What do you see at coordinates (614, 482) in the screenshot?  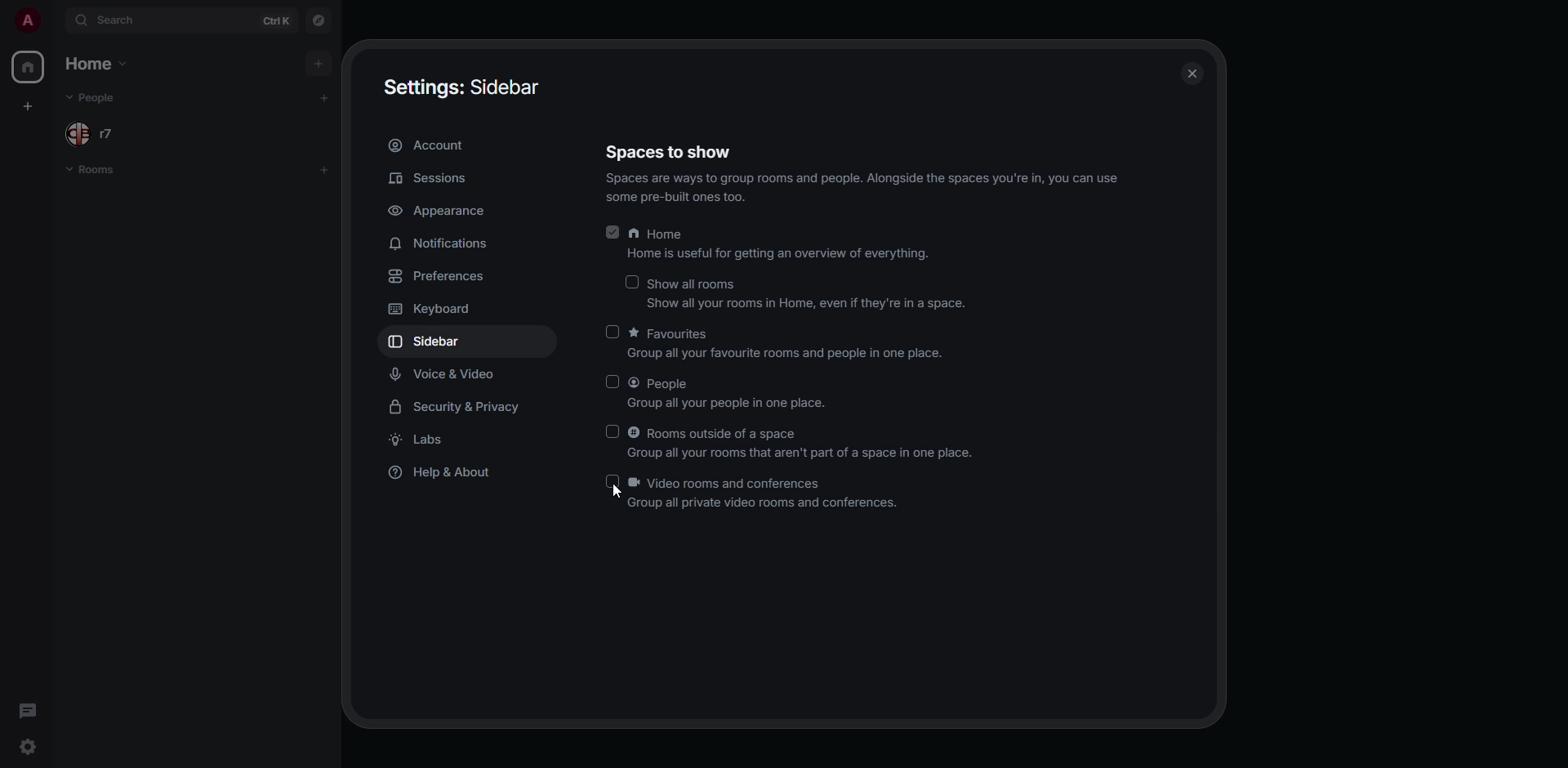 I see `click to enable` at bounding box center [614, 482].